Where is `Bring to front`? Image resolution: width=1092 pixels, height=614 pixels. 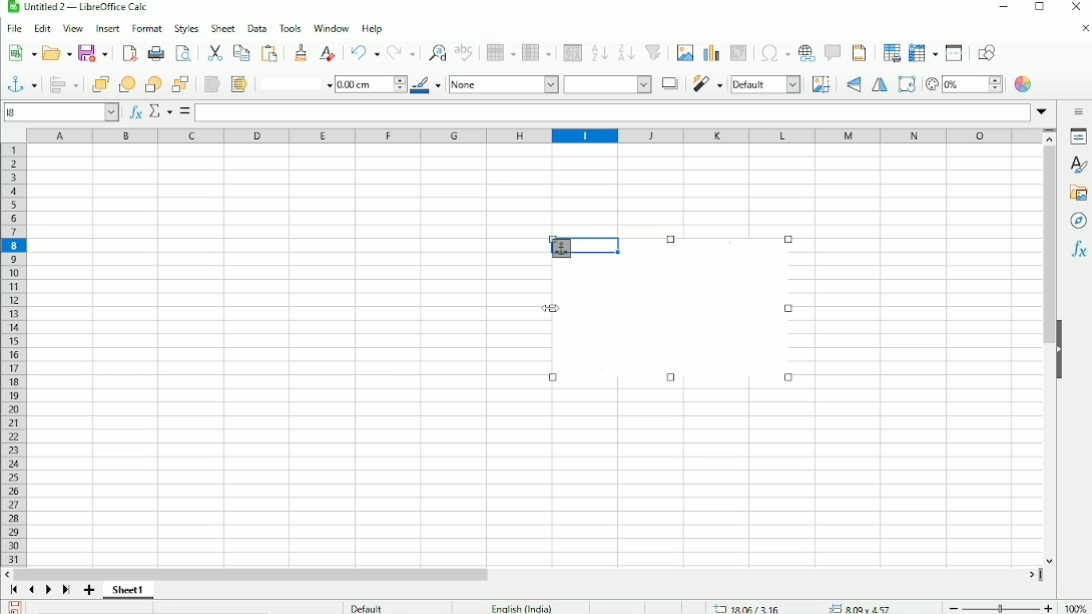 Bring to front is located at coordinates (99, 84).